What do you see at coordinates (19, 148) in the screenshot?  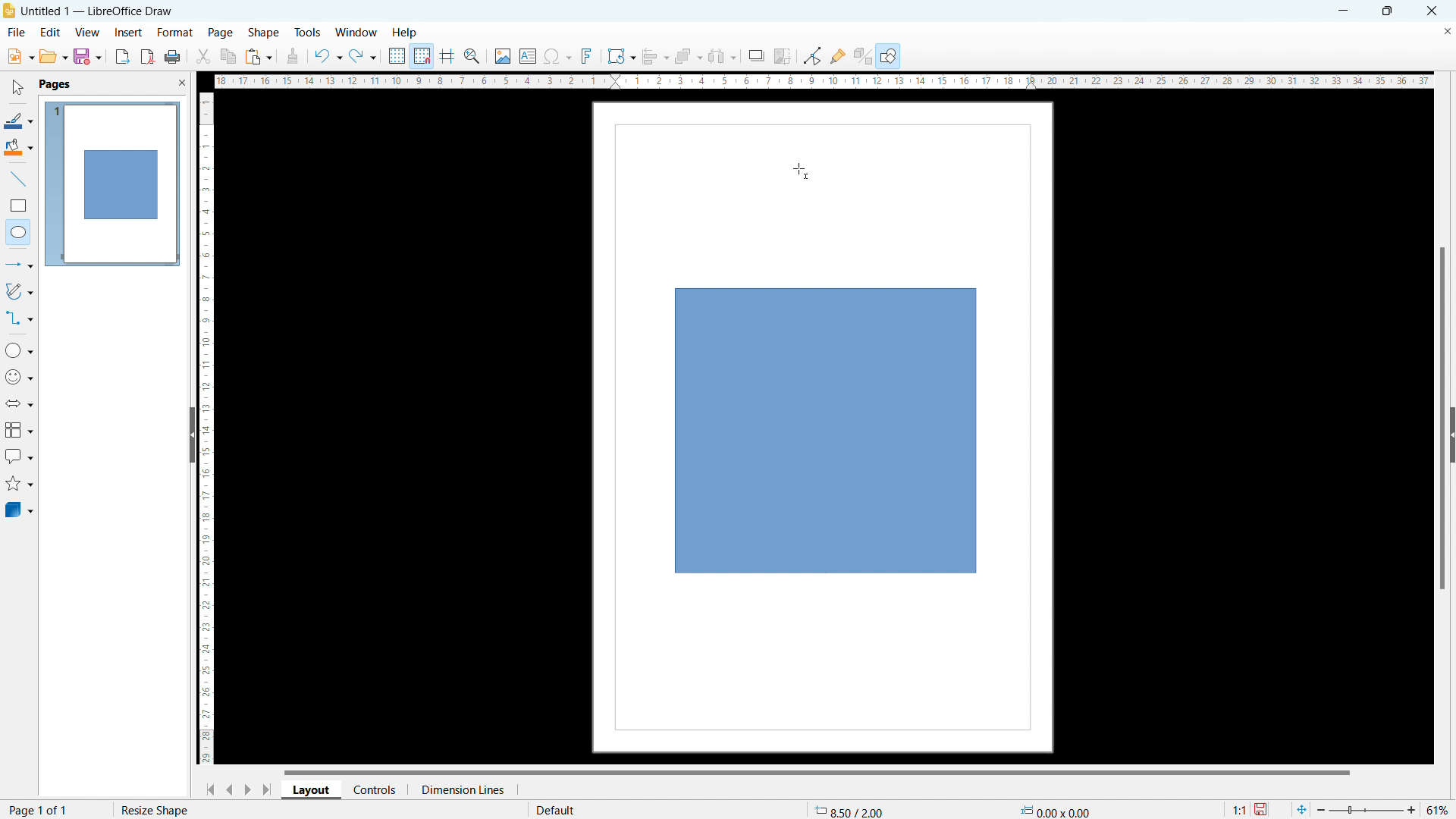 I see `fill color` at bounding box center [19, 148].